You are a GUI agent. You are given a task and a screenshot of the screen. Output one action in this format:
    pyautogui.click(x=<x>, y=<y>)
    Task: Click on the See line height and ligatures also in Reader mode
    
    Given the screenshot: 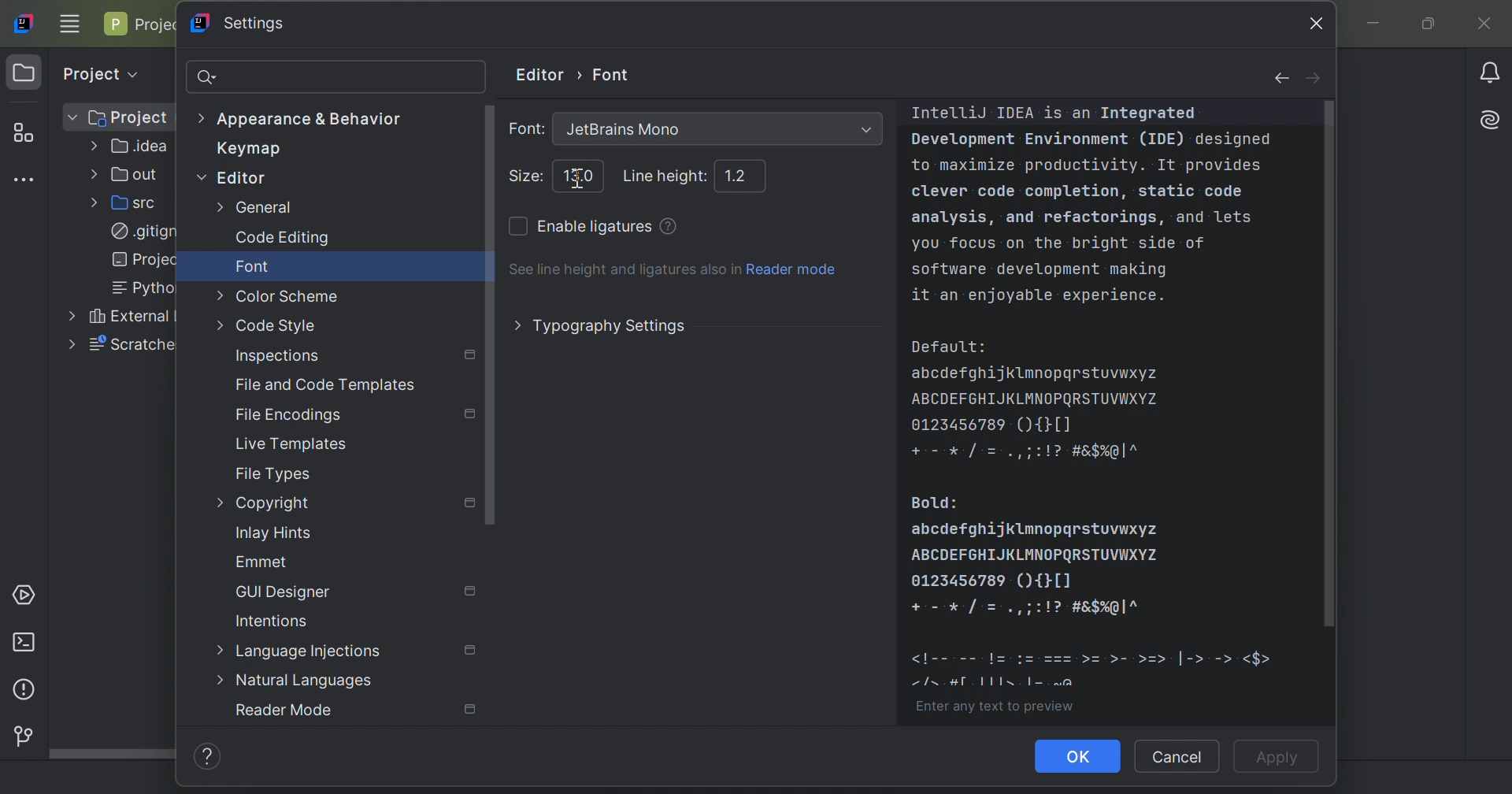 What is the action you would take?
    pyautogui.click(x=673, y=269)
    